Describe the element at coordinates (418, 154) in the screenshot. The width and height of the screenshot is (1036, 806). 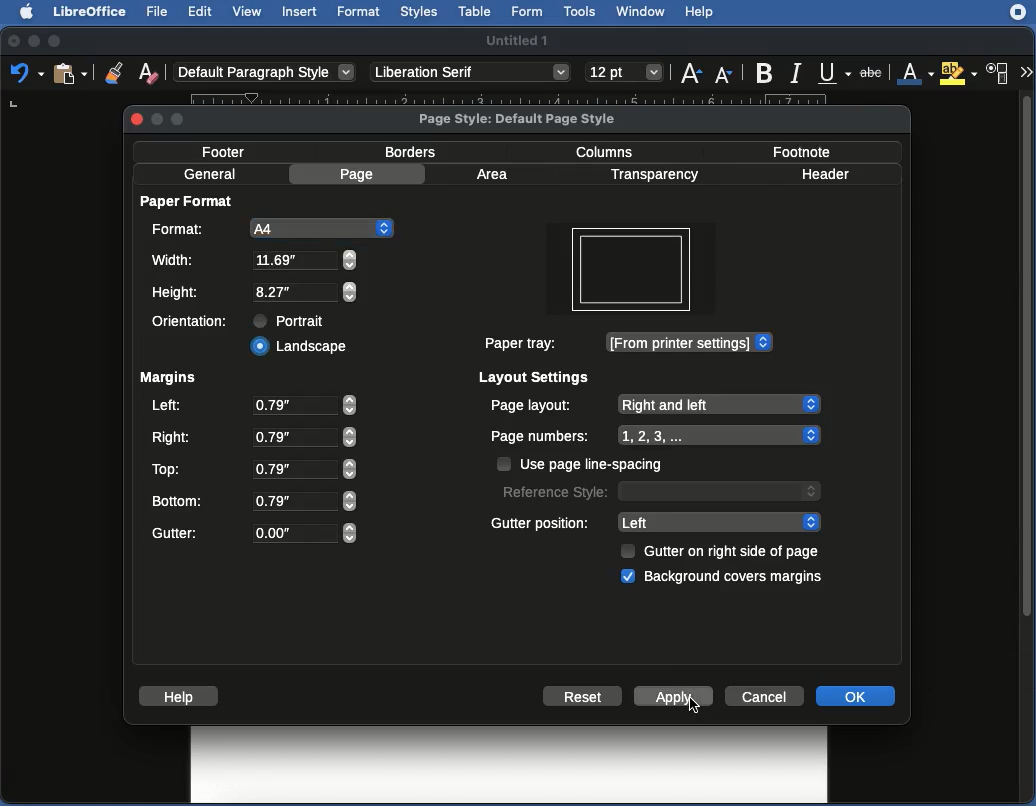
I see `Borders` at that location.